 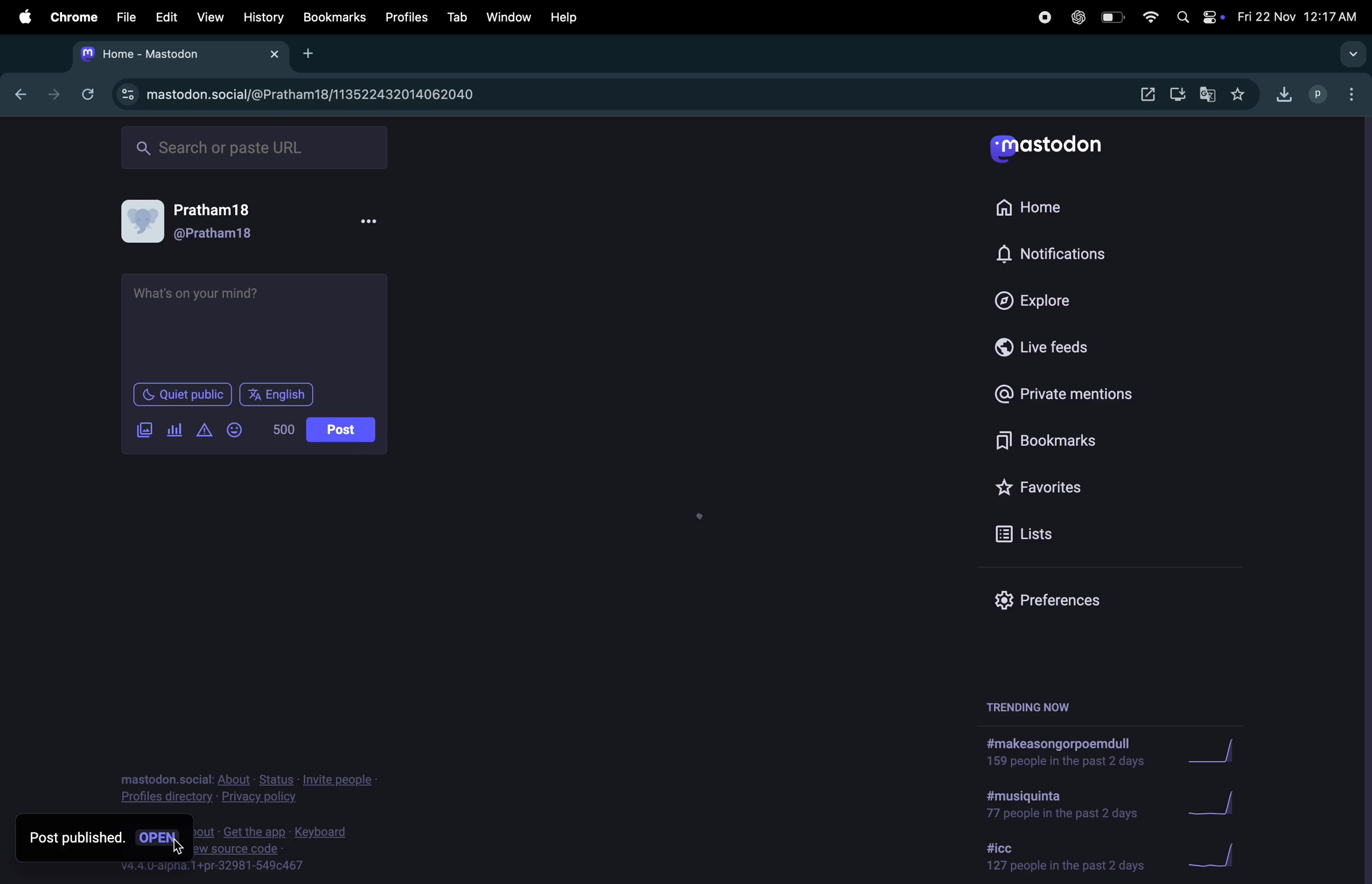 What do you see at coordinates (406, 18) in the screenshot?
I see `profiles` at bounding box center [406, 18].